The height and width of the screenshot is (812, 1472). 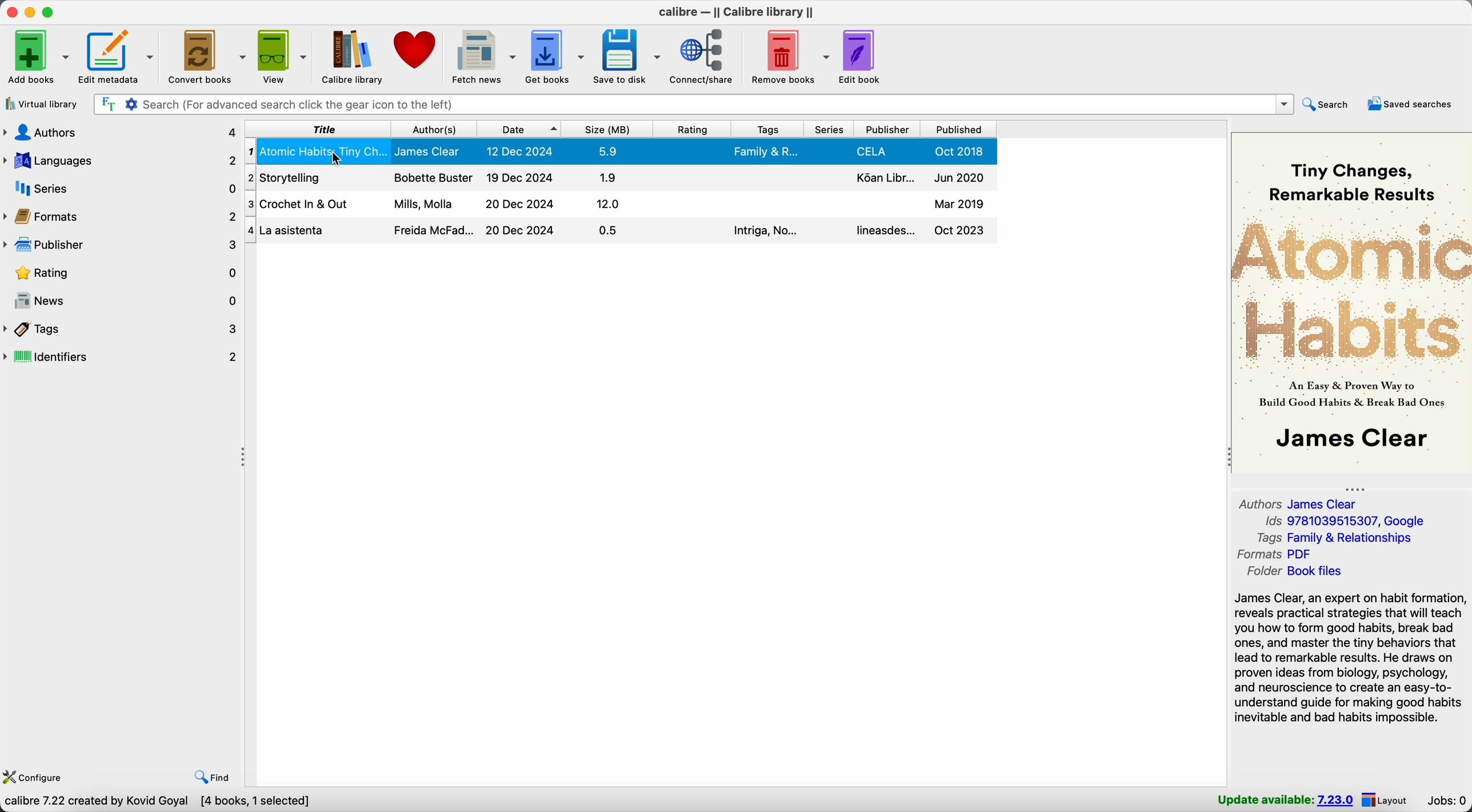 I want to click on convert books, so click(x=209, y=56).